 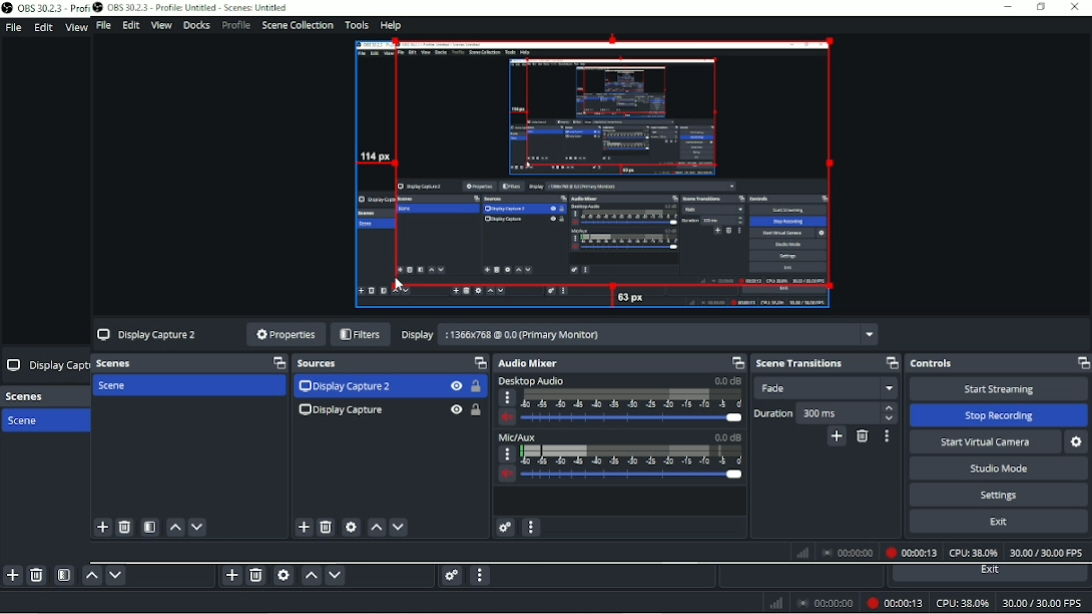 What do you see at coordinates (453, 388) in the screenshot?
I see `Hide` at bounding box center [453, 388].